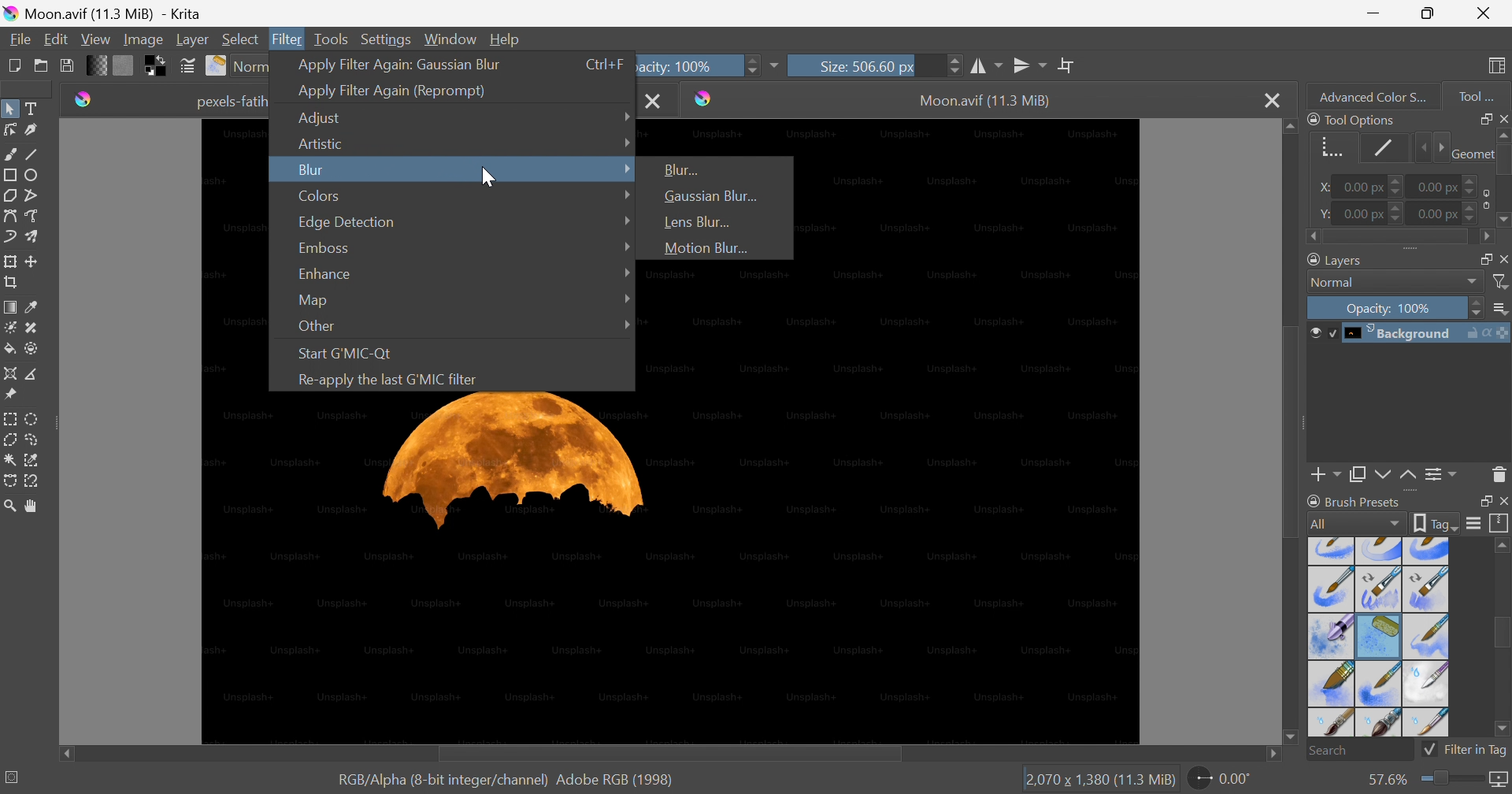 Image resolution: width=1512 pixels, height=794 pixels. What do you see at coordinates (10, 348) in the screenshot?
I see `Fill a contiguous area of color with a color or a fill selection` at bounding box center [10, 348].